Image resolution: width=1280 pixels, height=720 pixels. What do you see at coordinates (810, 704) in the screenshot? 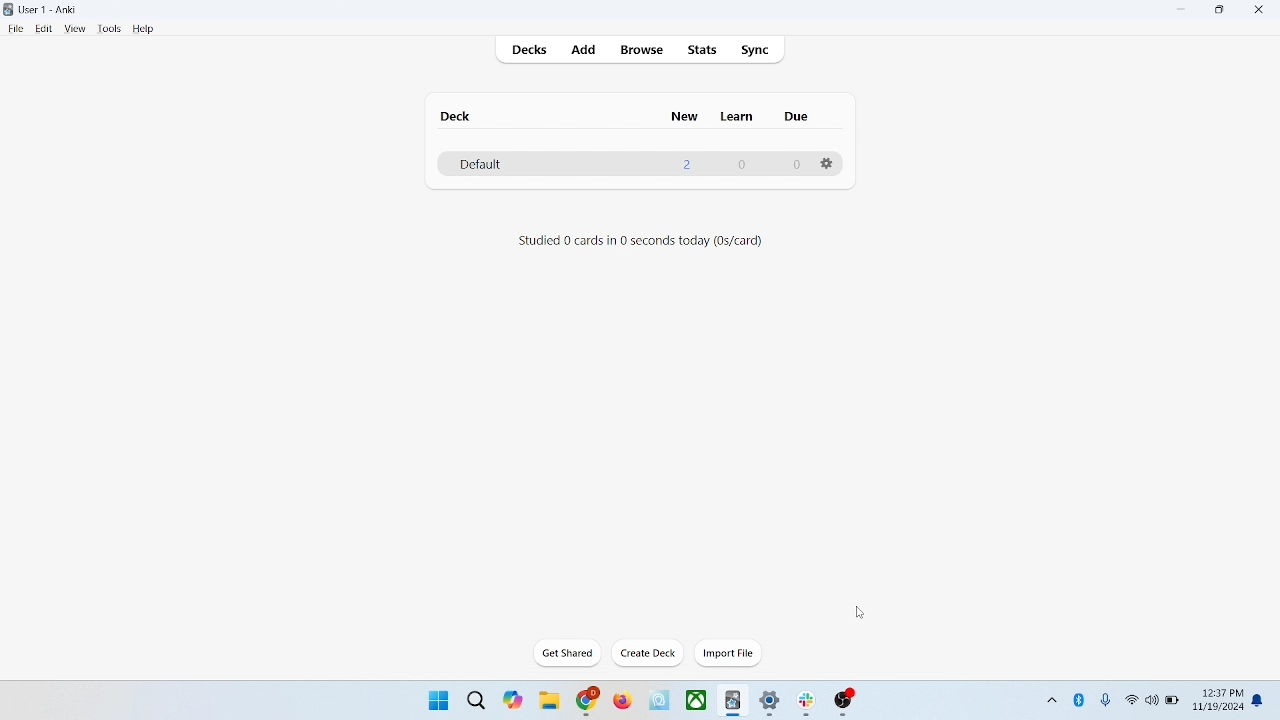
I see `icon` at bounding box center [810, 704].